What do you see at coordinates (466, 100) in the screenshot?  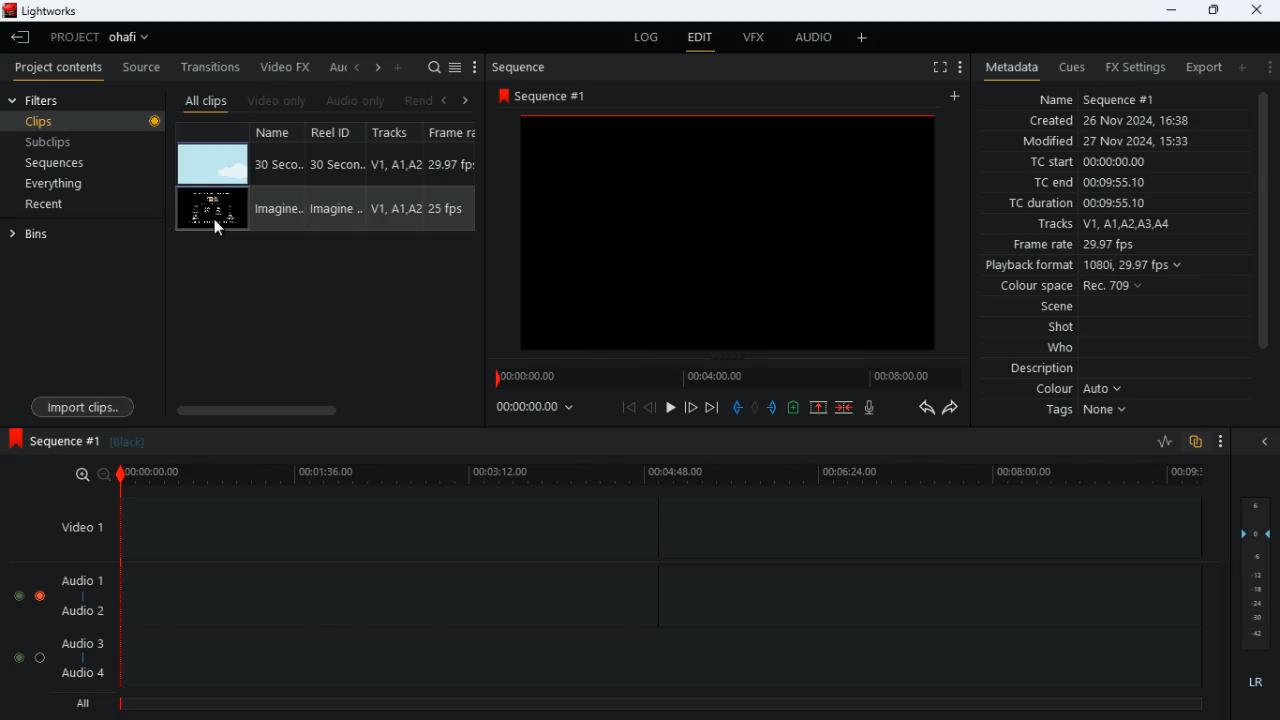 I see `right` at bounding box center [466, 100].